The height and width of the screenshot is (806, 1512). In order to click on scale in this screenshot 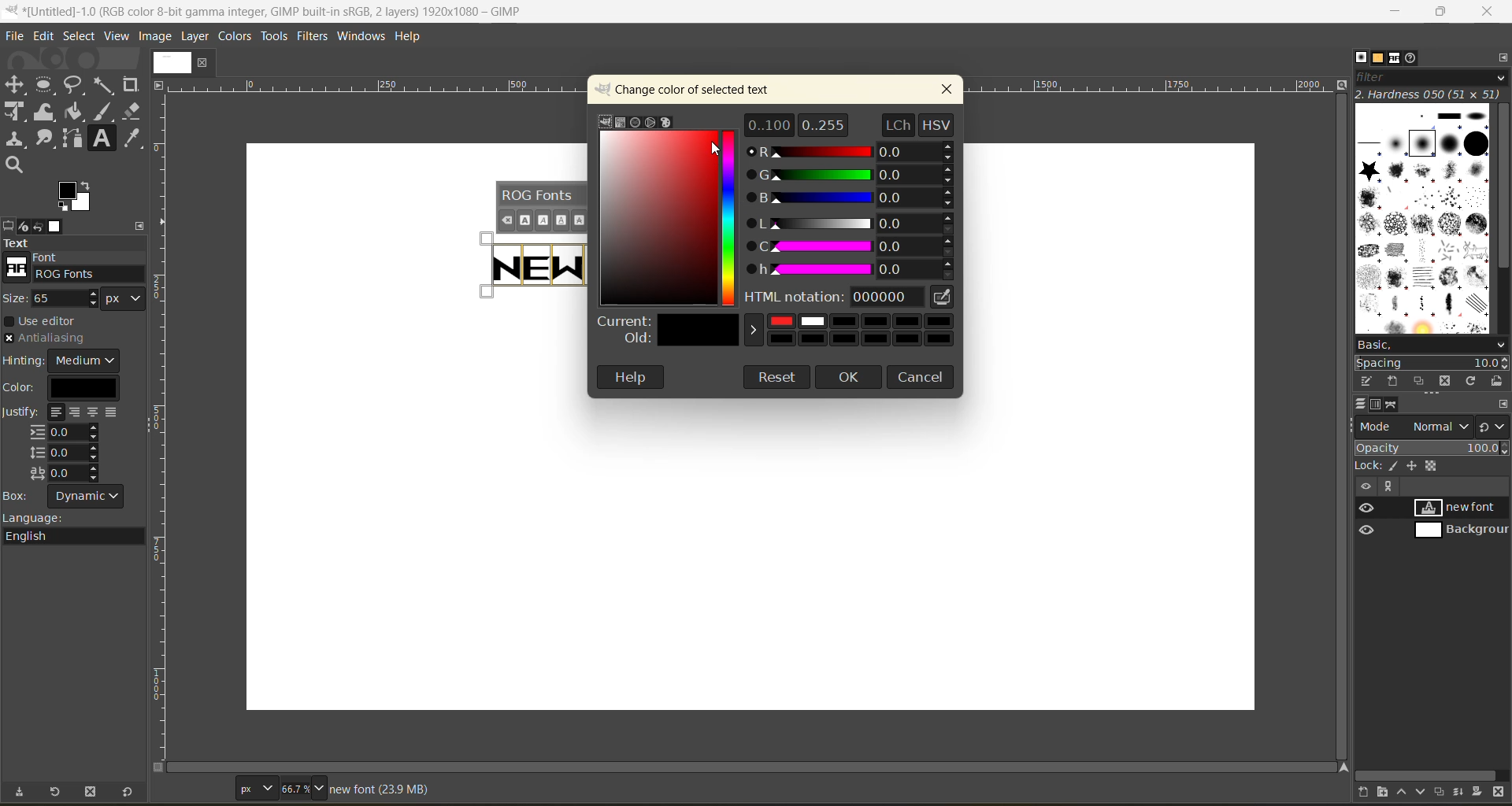, I will do `click(378, 86)`.